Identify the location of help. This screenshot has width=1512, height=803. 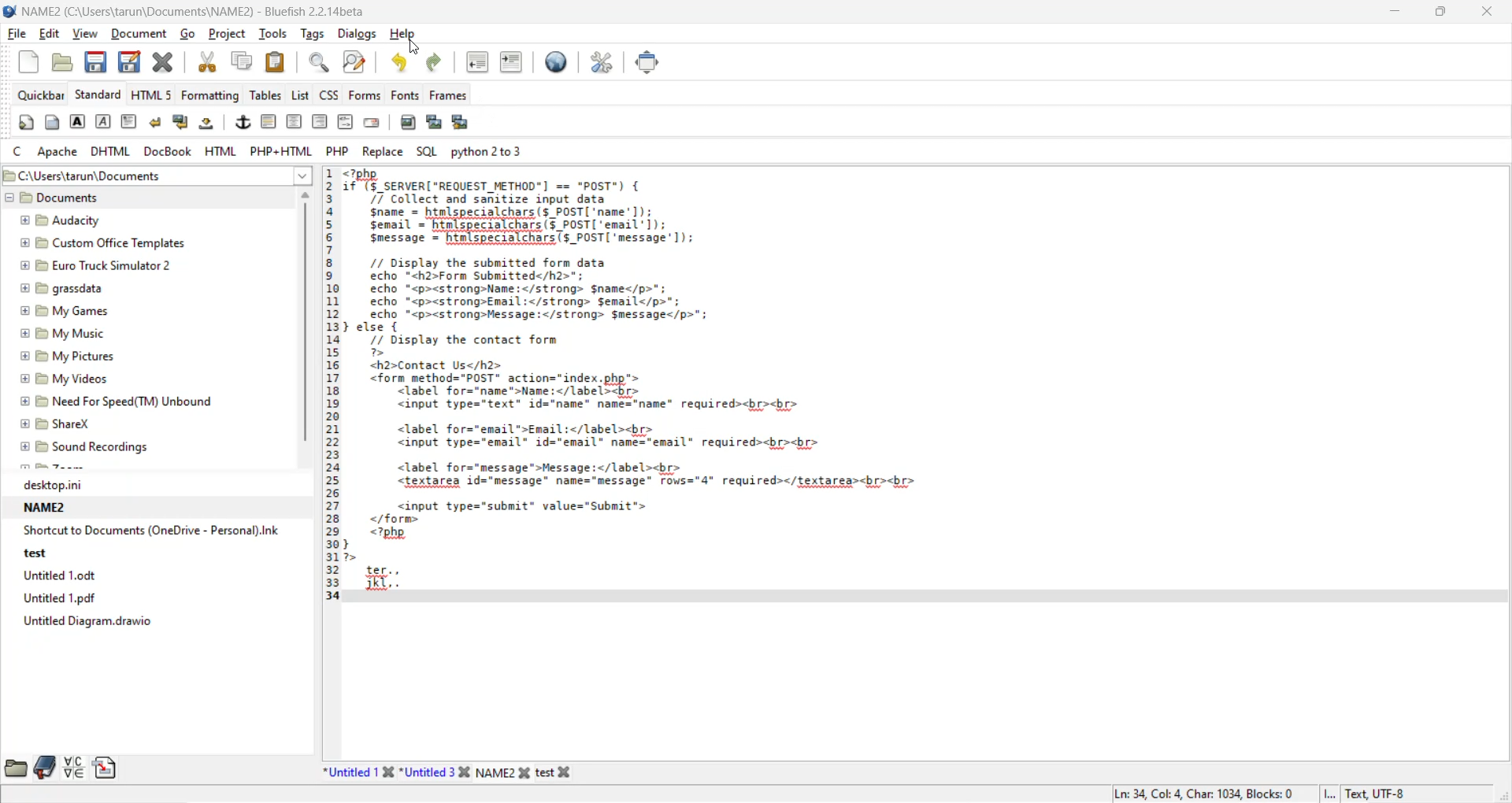
(409, 35).